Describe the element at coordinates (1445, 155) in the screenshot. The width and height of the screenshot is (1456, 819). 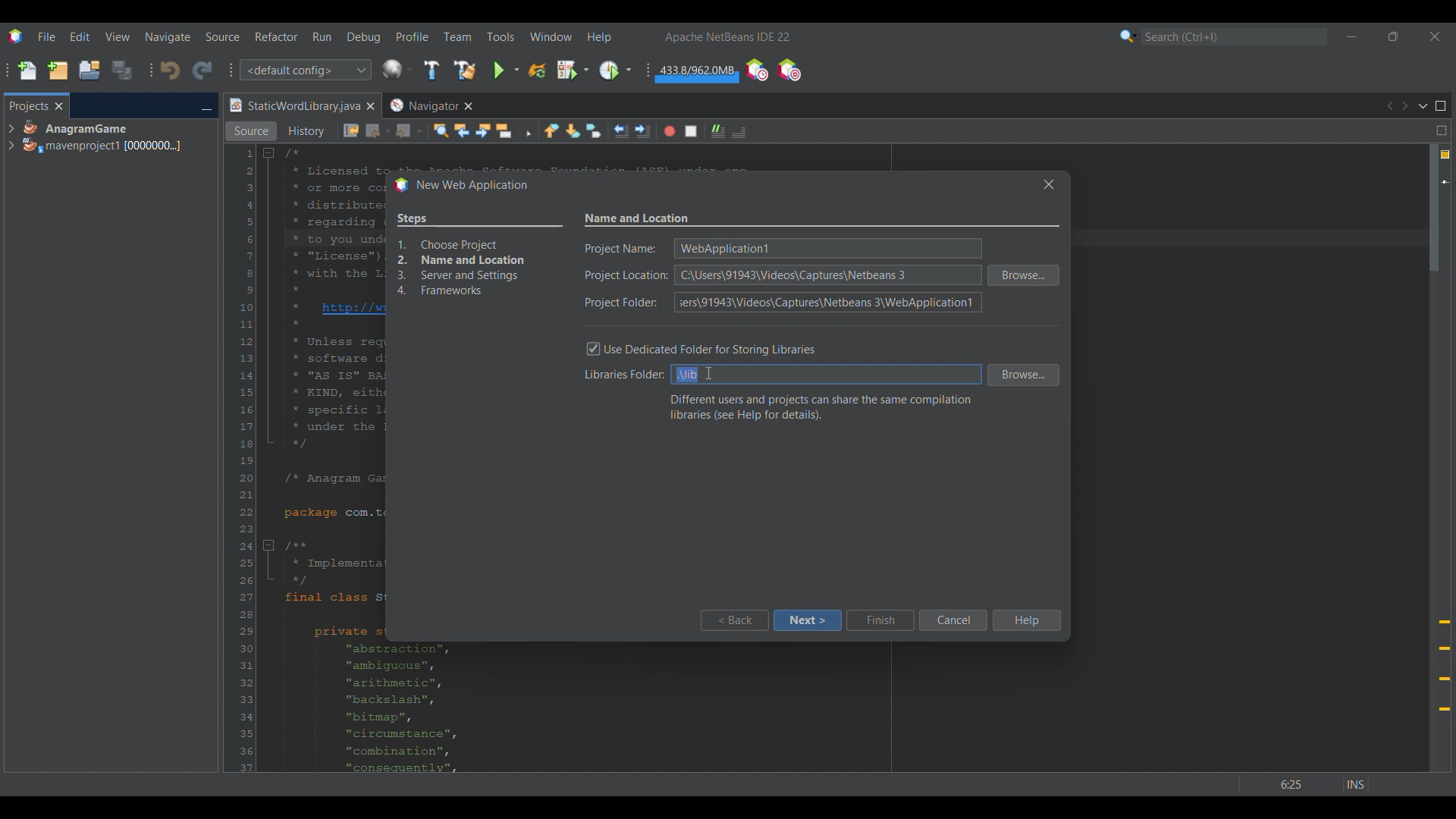
I see `4 warnings` at that location.